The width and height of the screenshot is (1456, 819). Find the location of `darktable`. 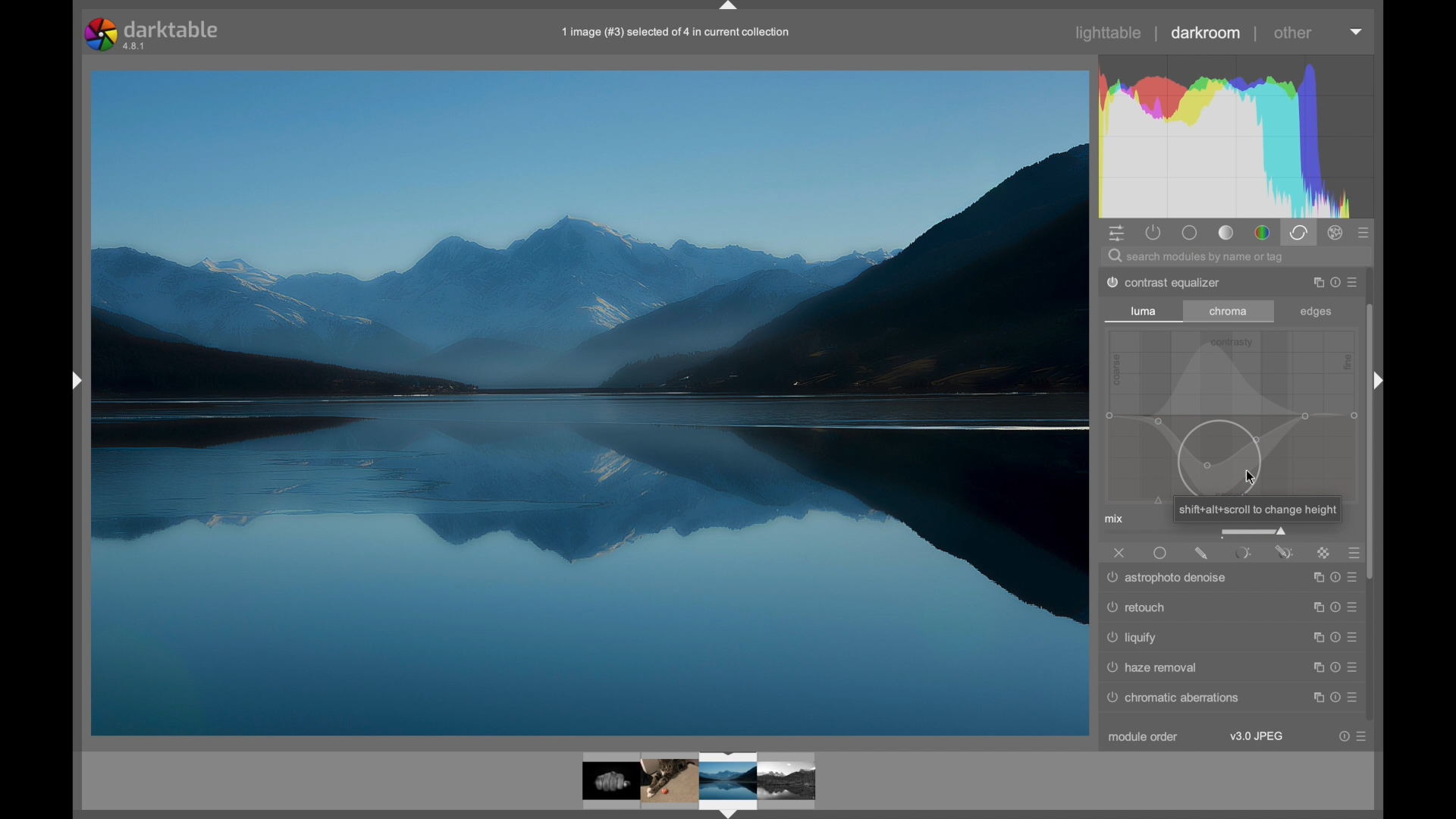

darktable is located at coordinates (152, 35).